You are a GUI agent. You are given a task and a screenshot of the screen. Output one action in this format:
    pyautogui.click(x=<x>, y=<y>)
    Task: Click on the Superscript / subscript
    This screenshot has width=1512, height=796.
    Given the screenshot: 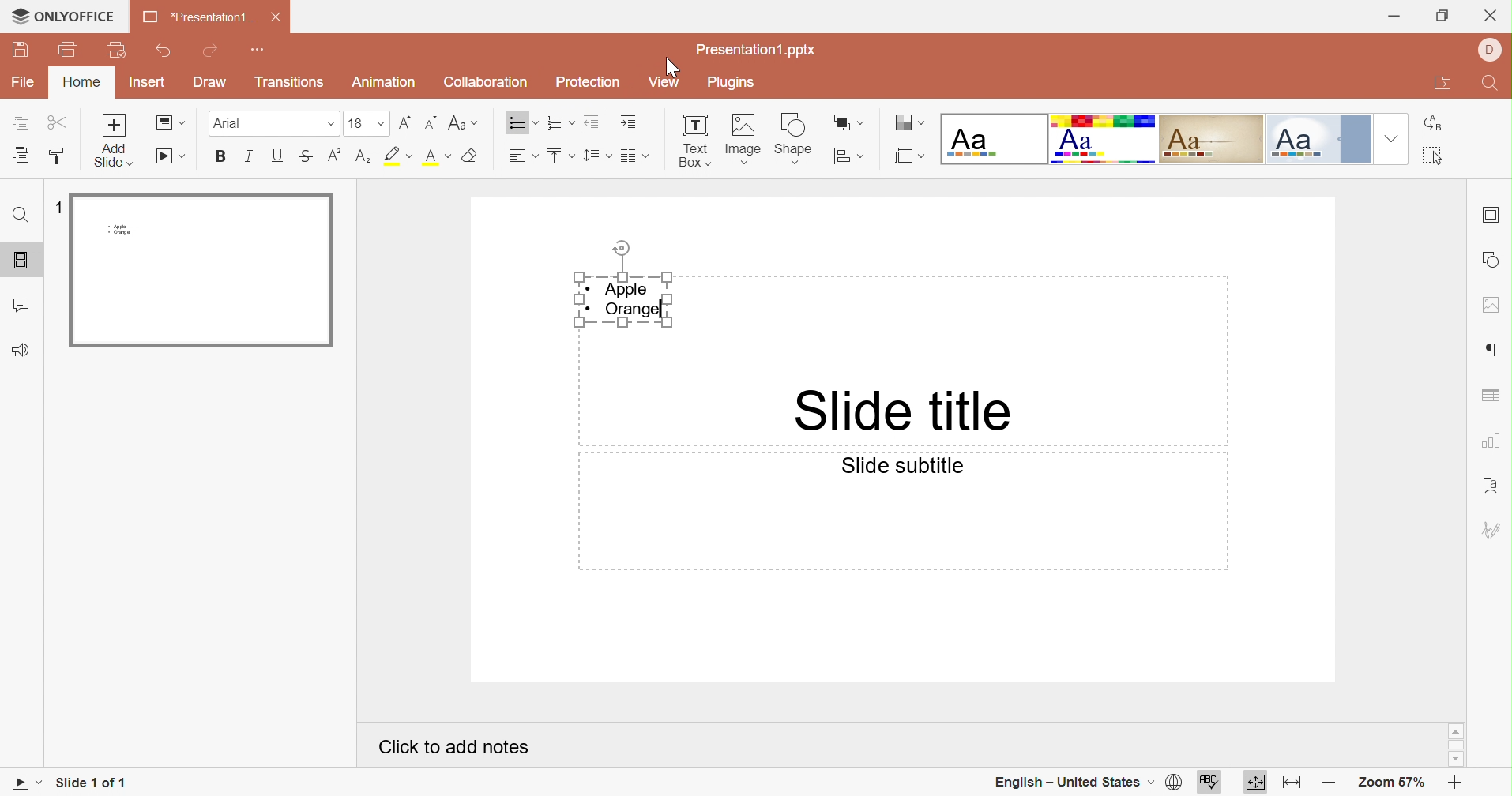 What is the action you would take?
    pyautogui.click(x=439, y=157)
    